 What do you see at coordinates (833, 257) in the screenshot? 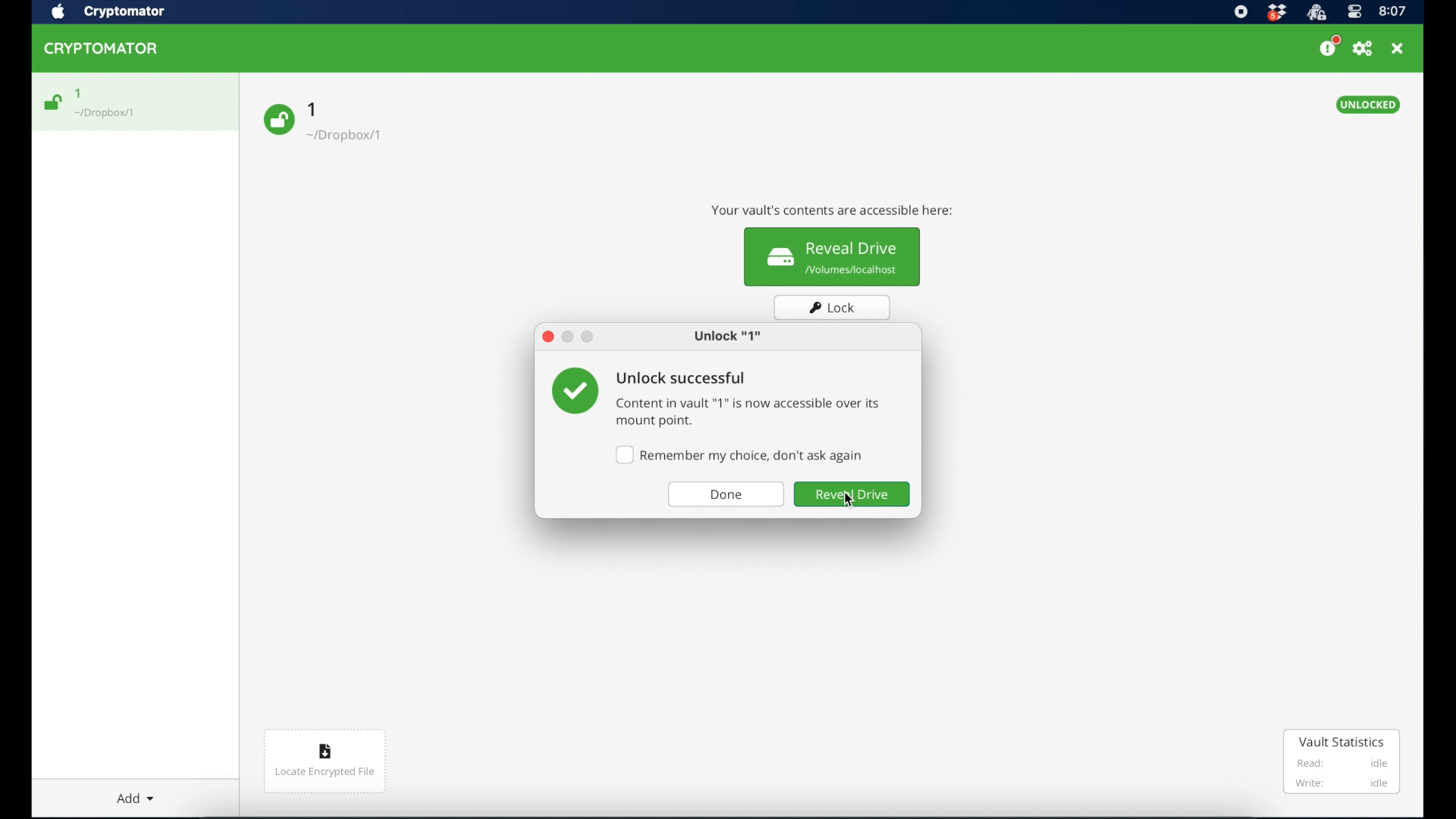
I see `reveal drive` at bounding box center [833, 257].